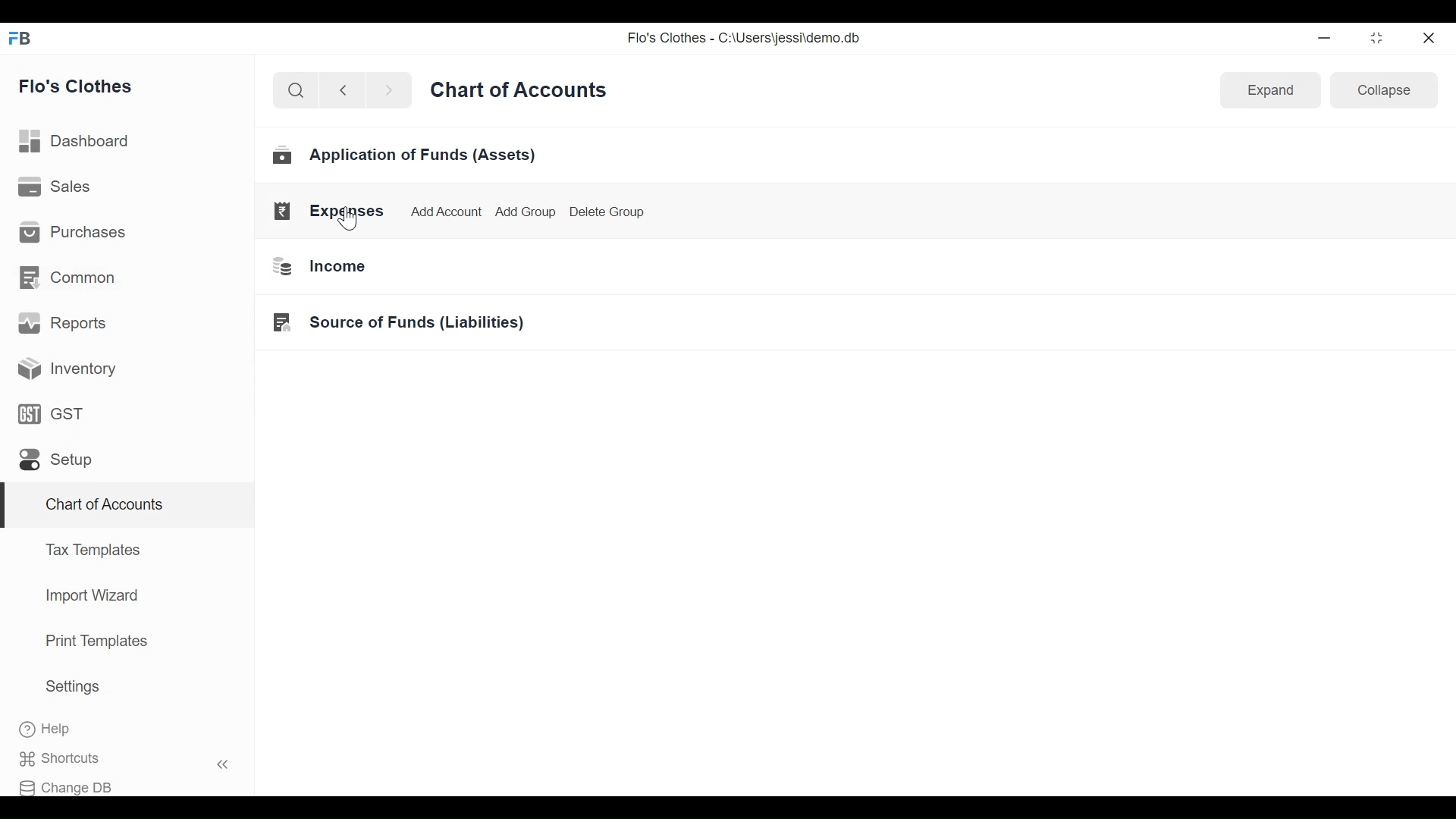  I want to click on Setup, so click(55, 463).